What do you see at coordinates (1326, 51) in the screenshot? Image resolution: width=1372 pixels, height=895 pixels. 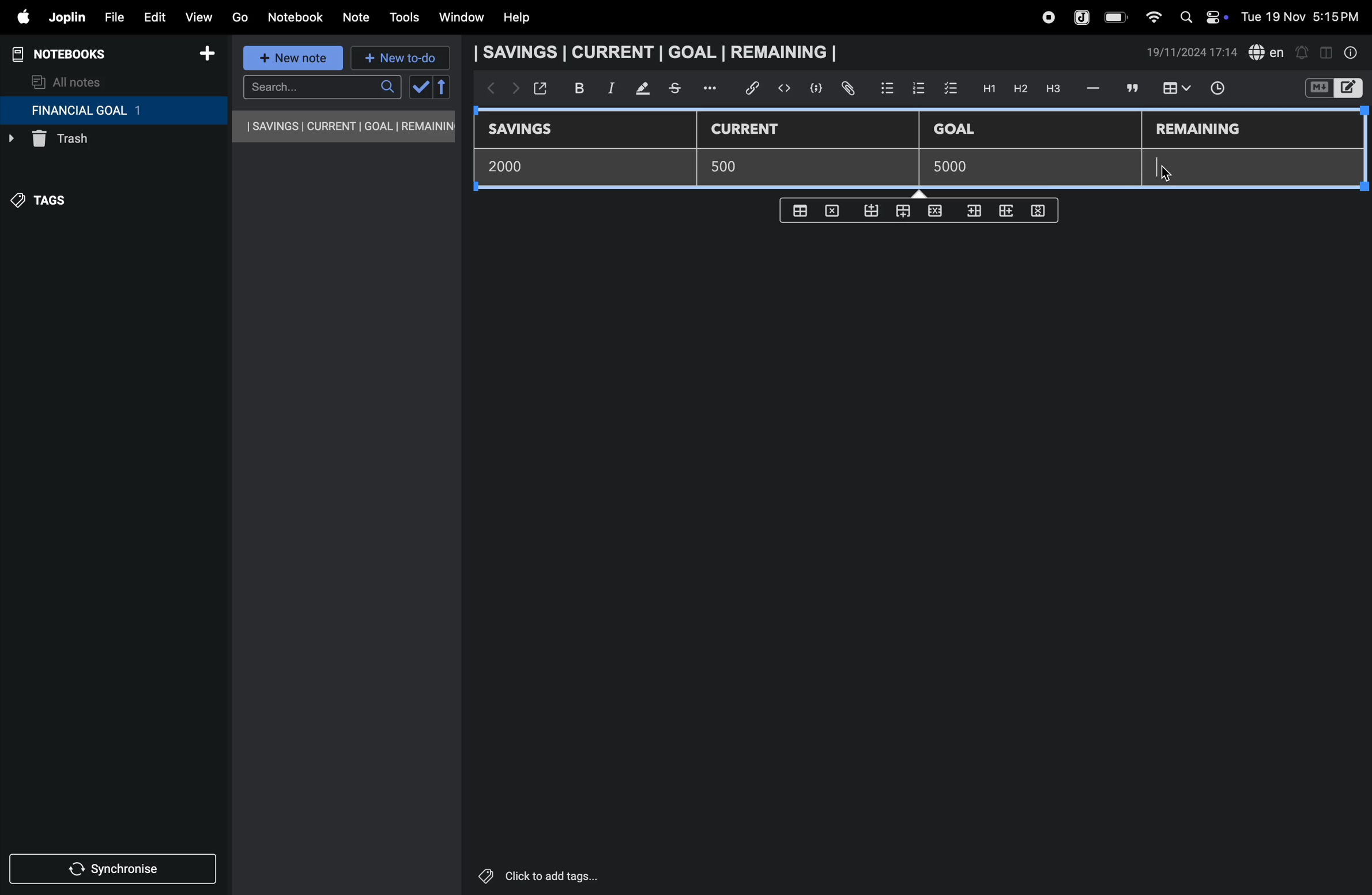 I see `toggle editor` at bounding box center [1326, 51].